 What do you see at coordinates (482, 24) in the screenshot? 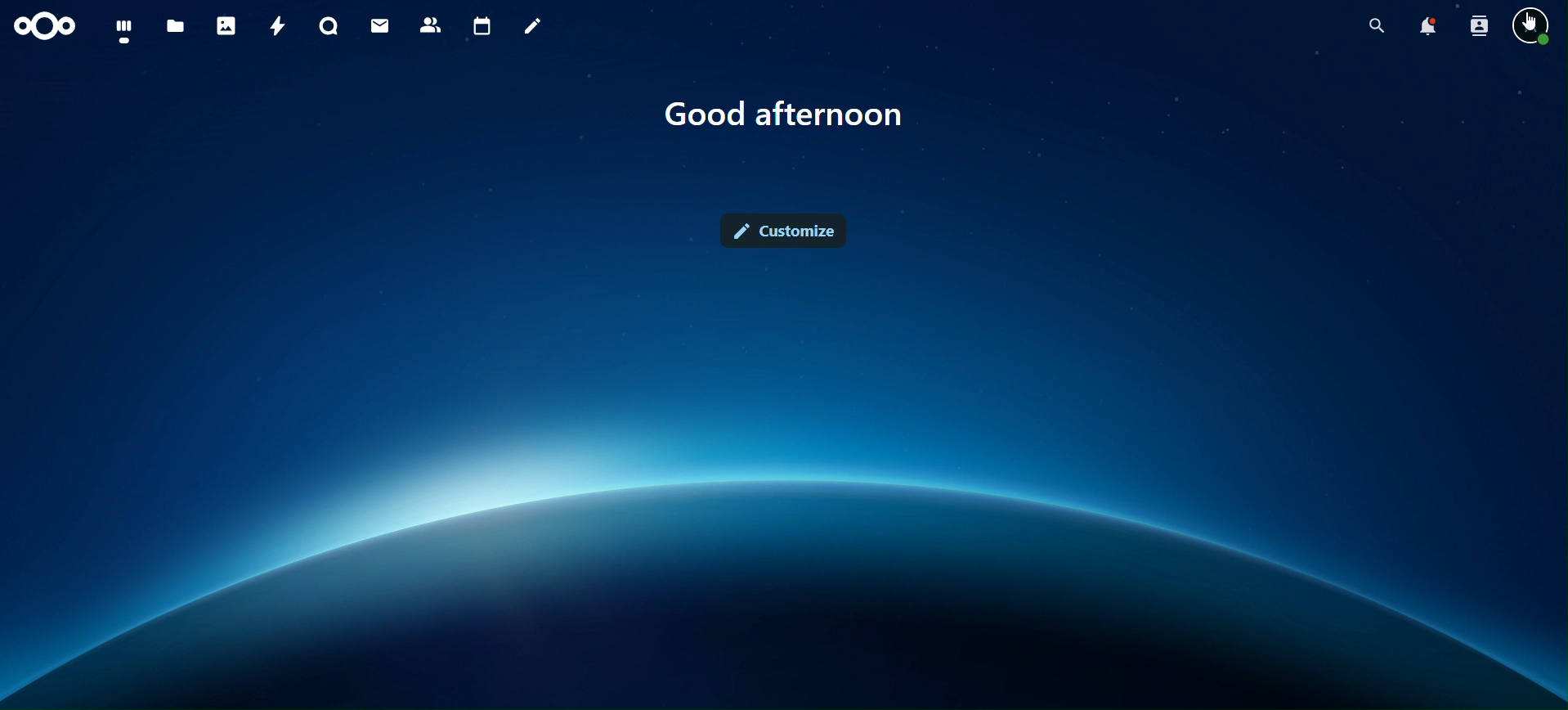
I see `calendar` at bounding box center [482, 24].